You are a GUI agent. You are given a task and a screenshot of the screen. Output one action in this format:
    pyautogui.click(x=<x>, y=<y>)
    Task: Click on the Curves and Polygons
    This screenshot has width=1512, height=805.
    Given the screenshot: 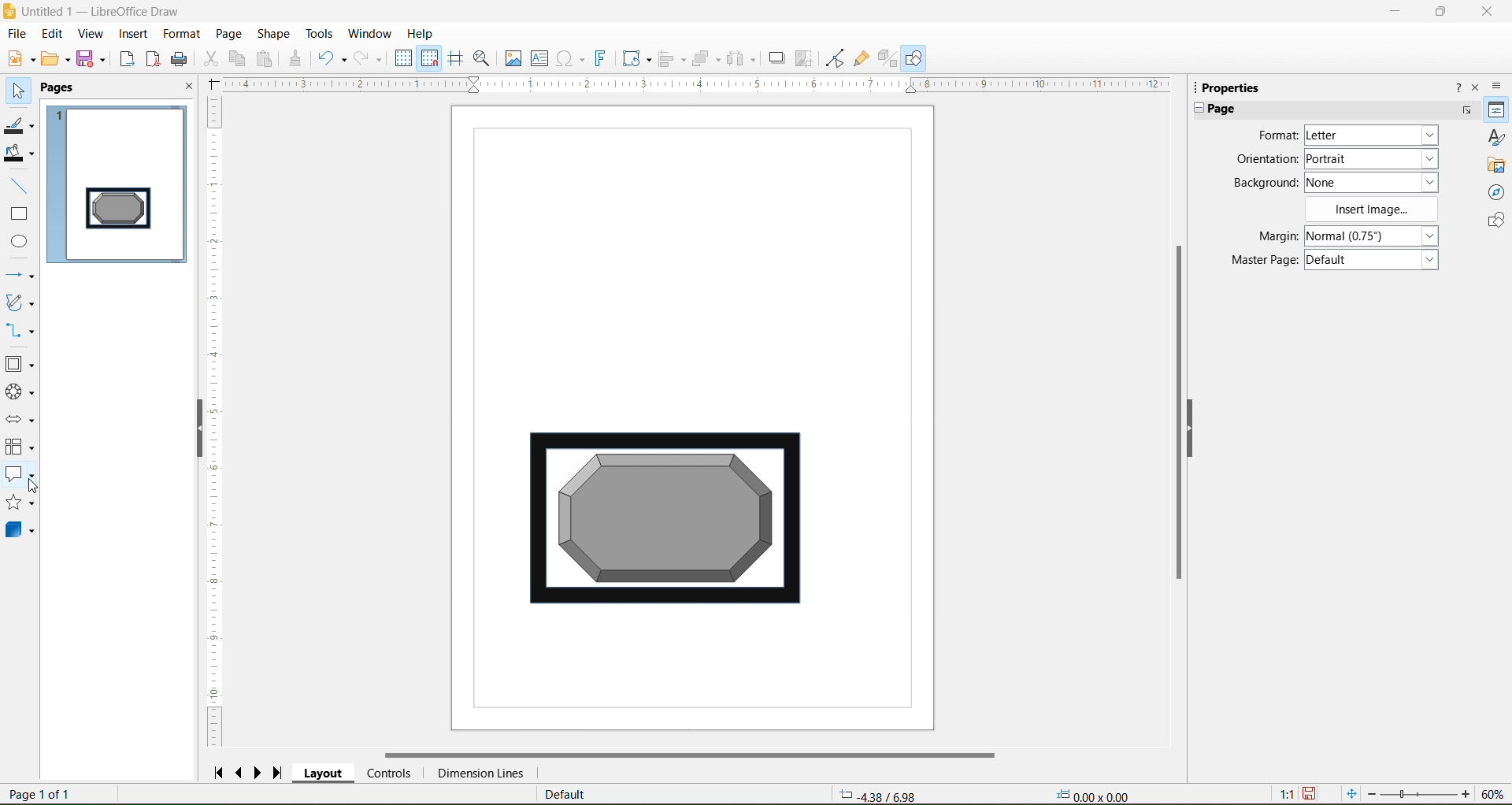 What is the action you would take?
    pyautogui.click(x=20, y=303)
    